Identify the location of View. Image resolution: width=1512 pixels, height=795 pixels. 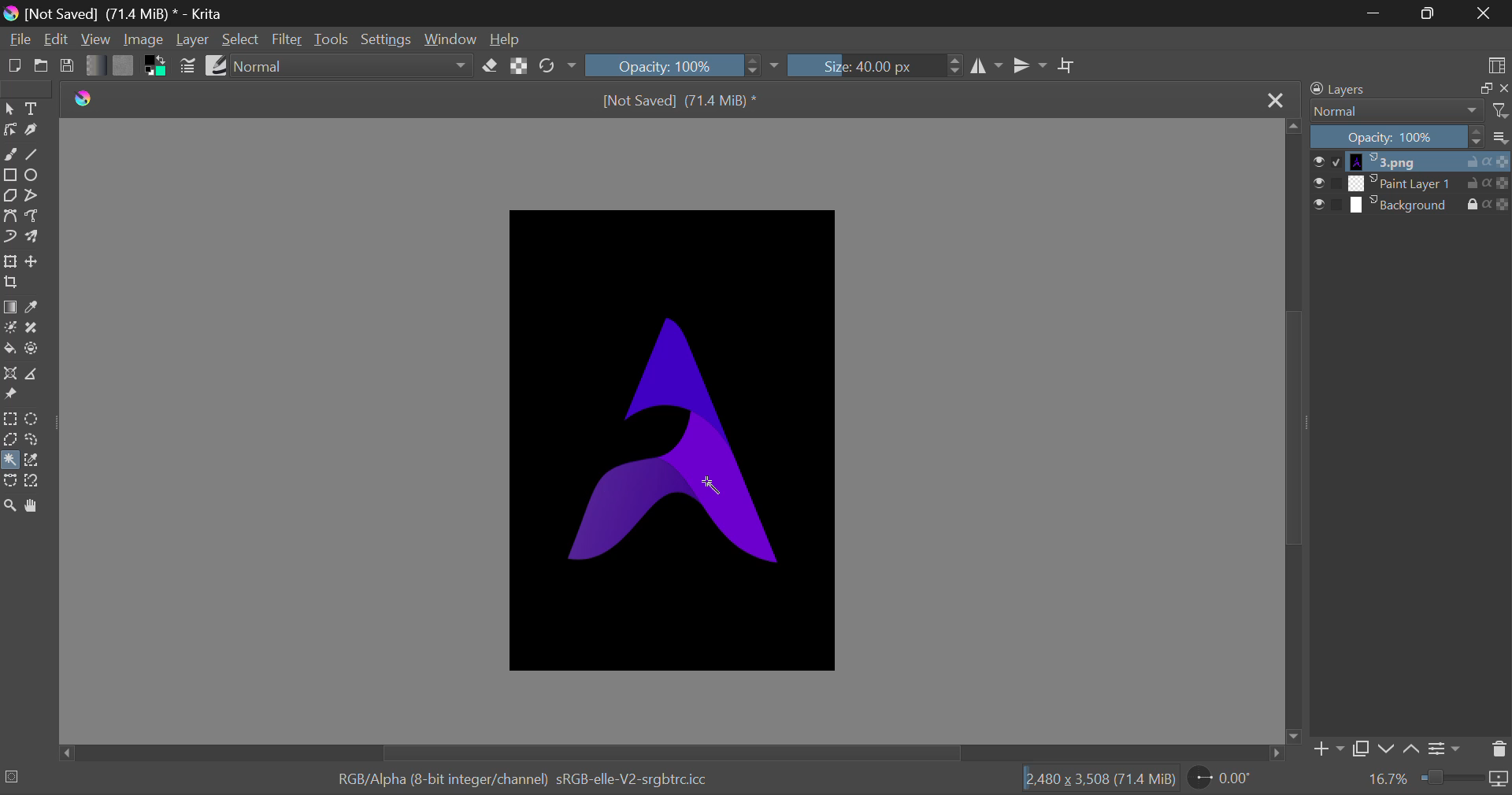
(96, 39).